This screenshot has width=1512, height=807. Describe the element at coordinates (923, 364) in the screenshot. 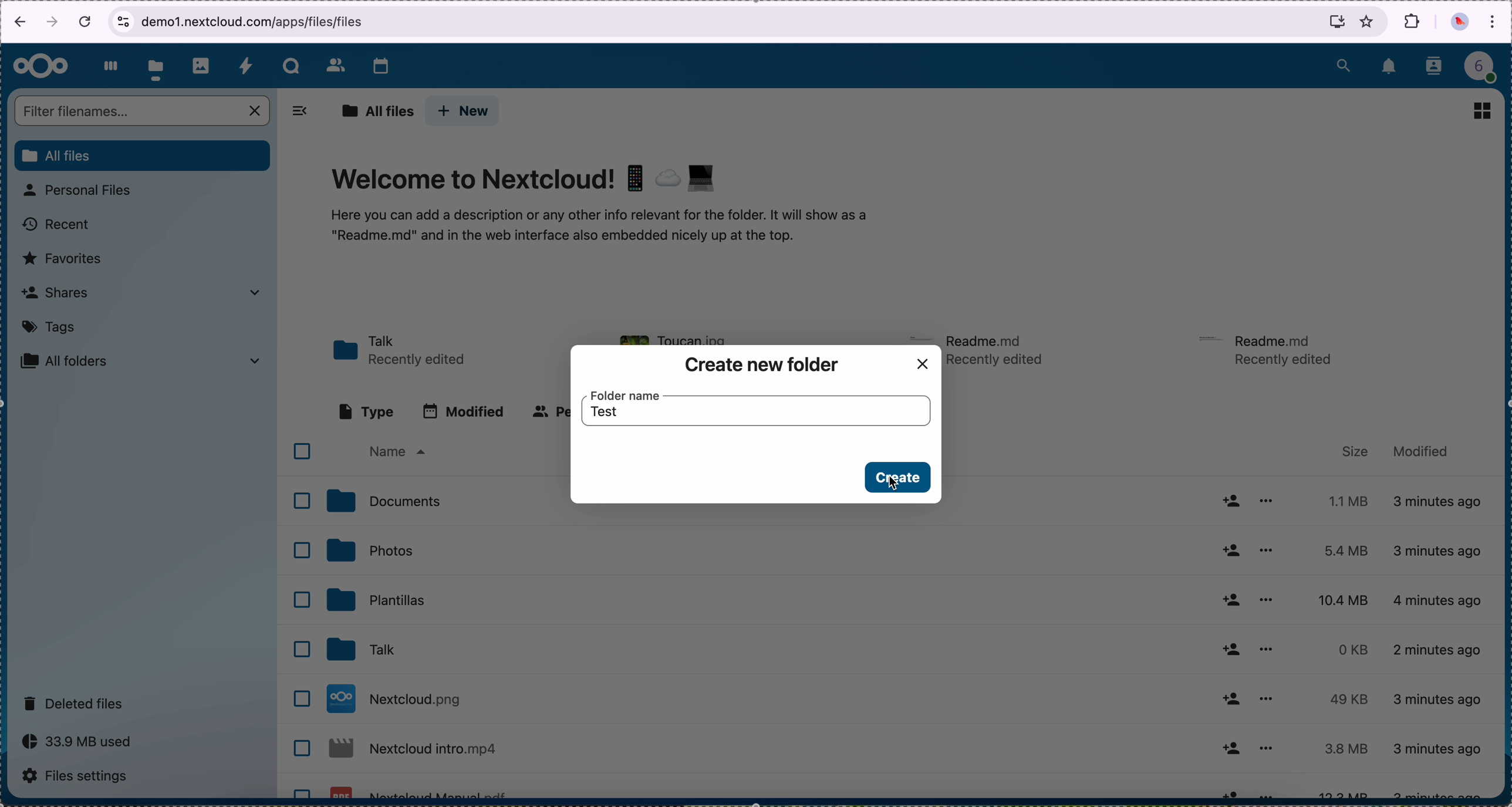

I see `close` at that location.